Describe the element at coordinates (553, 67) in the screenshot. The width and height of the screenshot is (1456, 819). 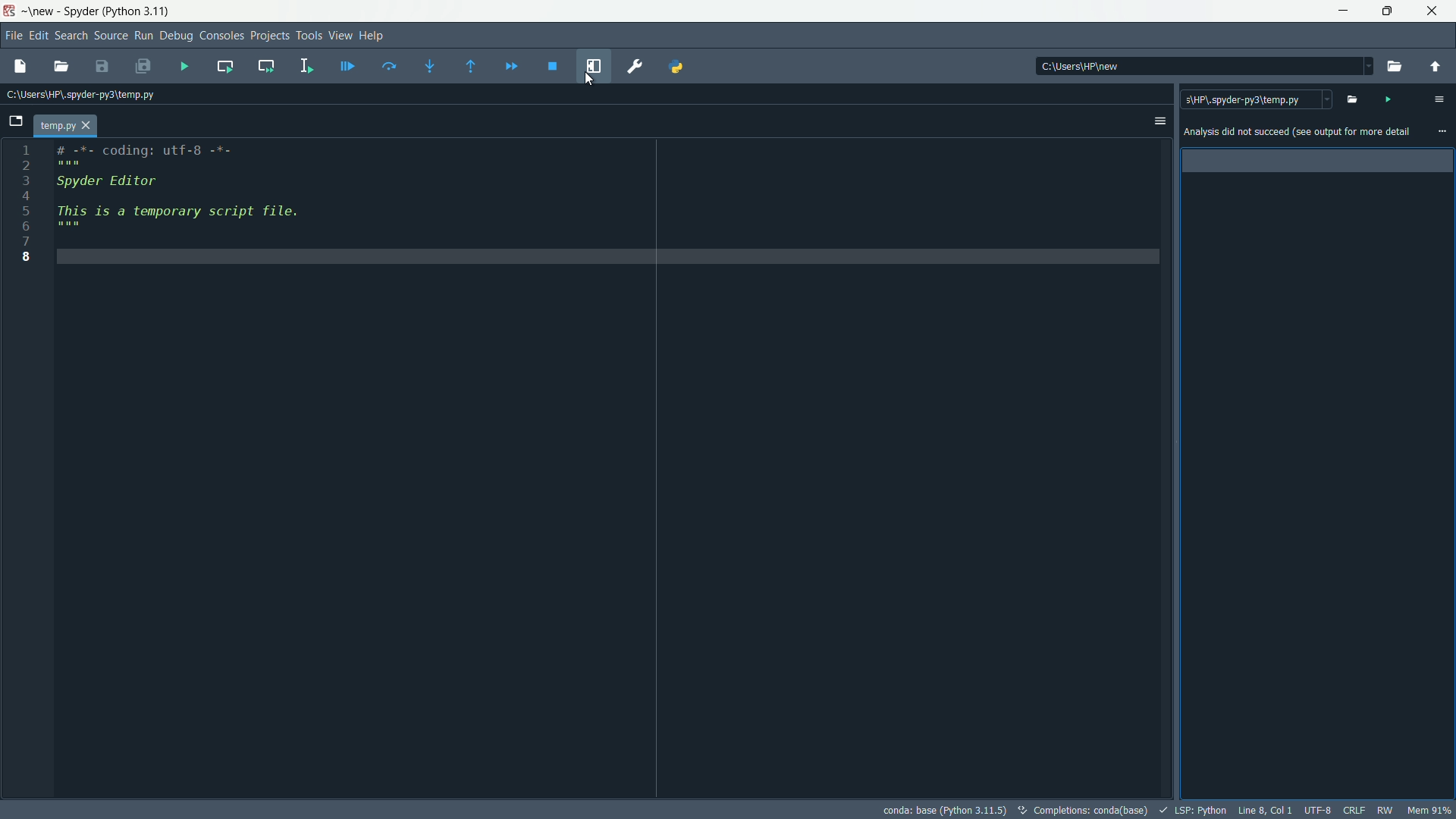
I see `stop debugging` at that location.